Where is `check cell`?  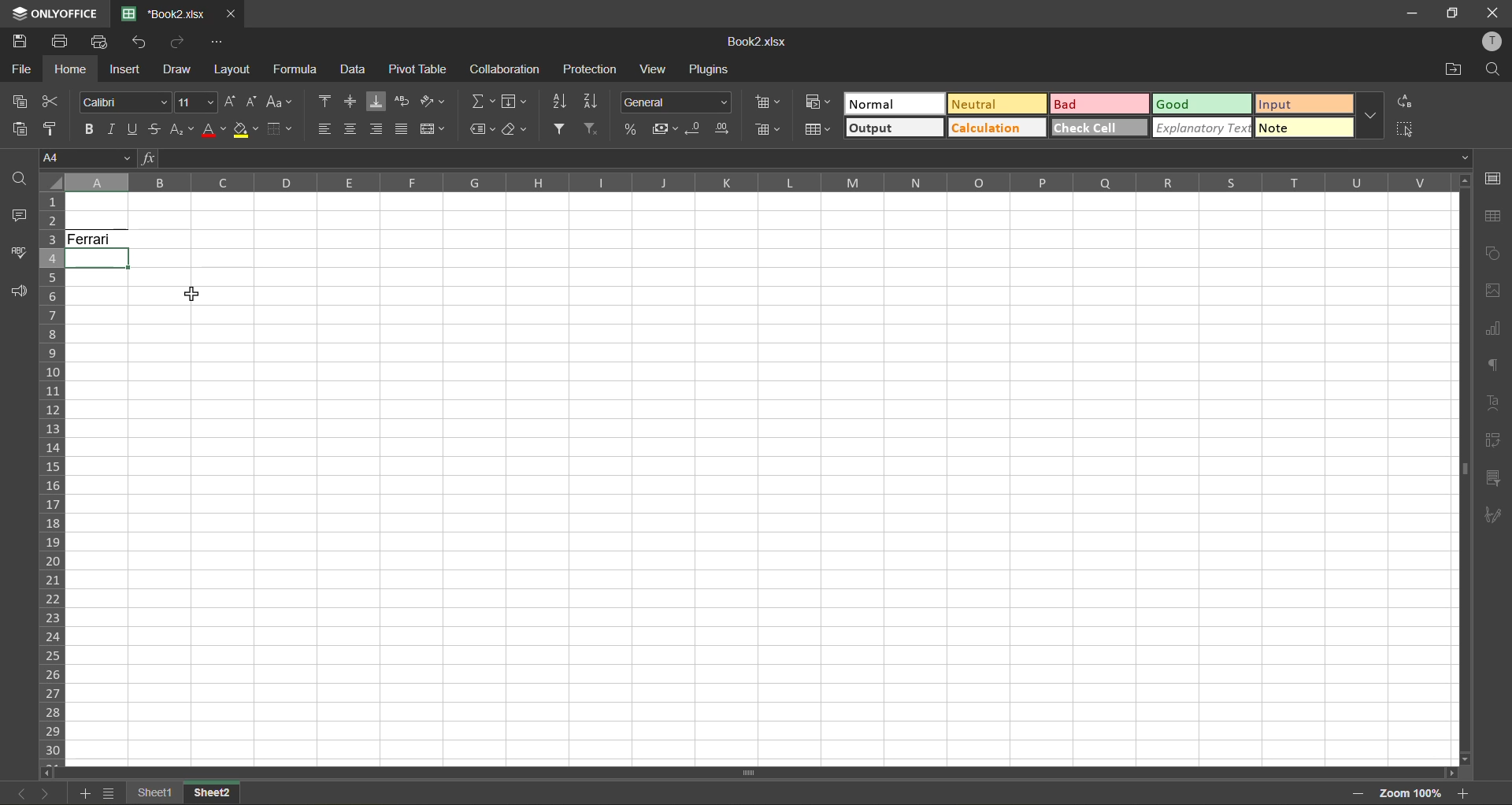 check cell is located at coordinates (1100, 128).